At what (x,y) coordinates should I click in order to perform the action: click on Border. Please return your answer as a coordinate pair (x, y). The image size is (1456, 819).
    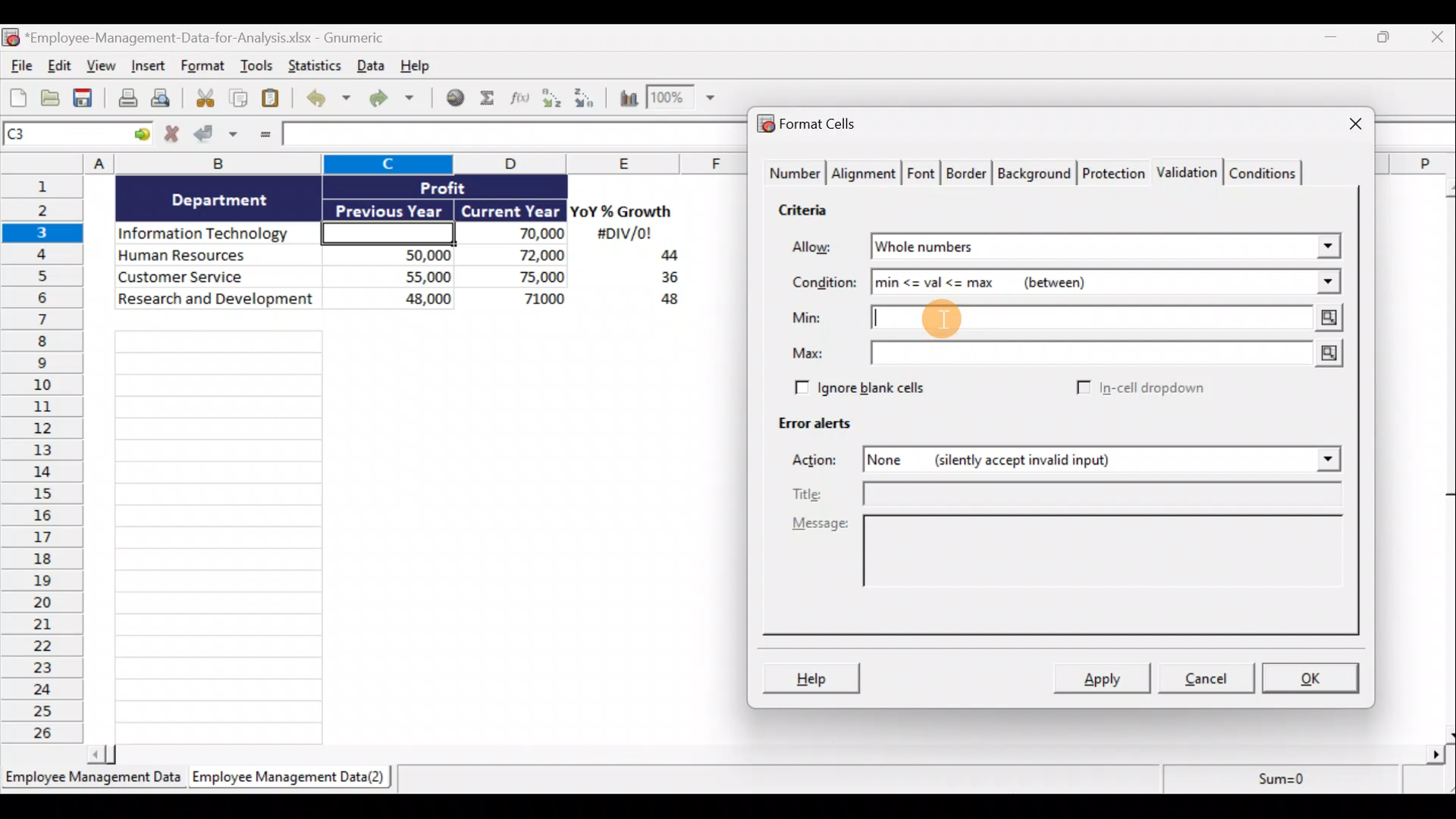
    Looking at the image, I should click on (968, 174).